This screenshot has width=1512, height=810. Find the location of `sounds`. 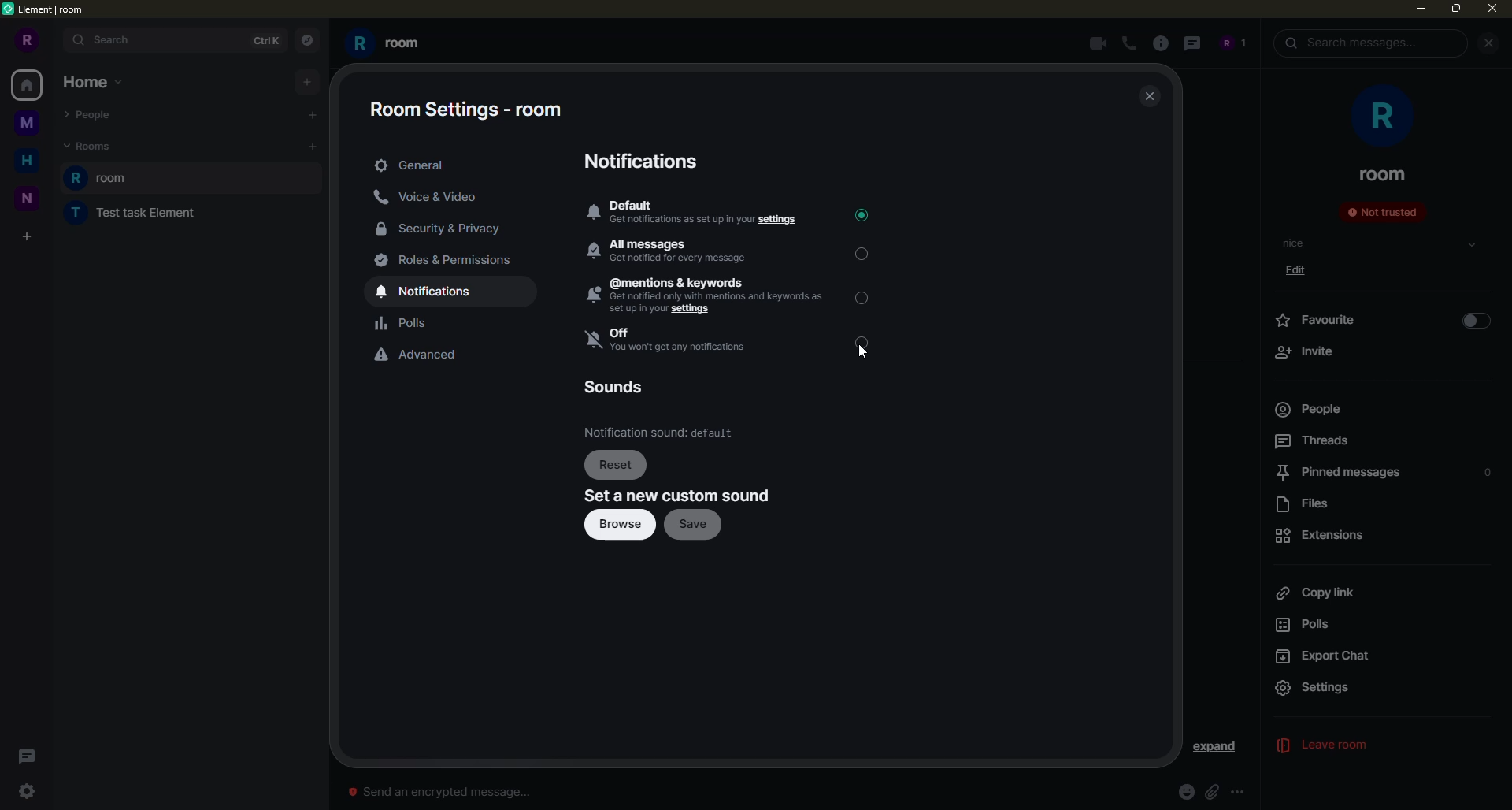

sounds is located at coordinates (612, 387).